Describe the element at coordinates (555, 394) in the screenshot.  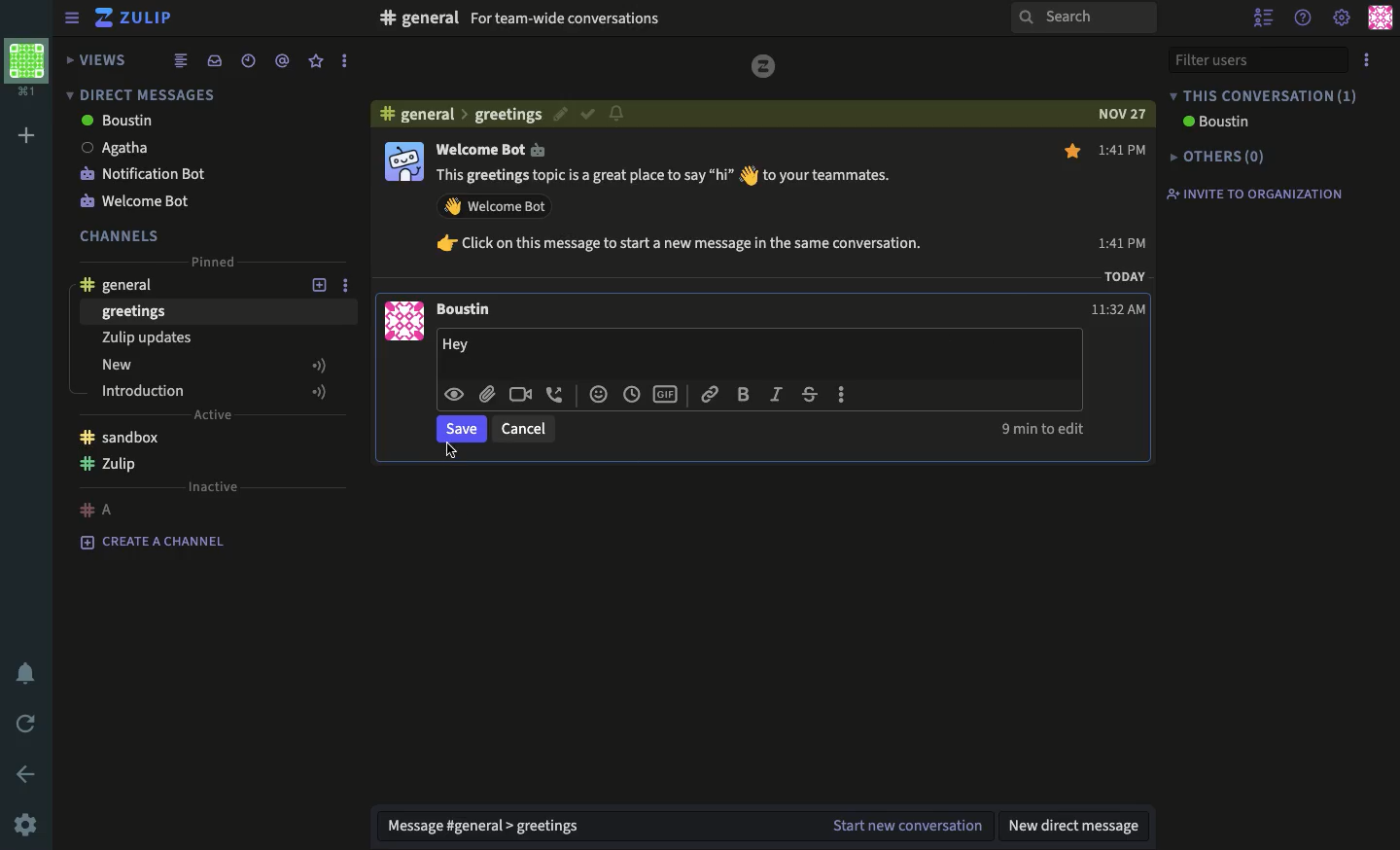
I see `audio call` at that location.